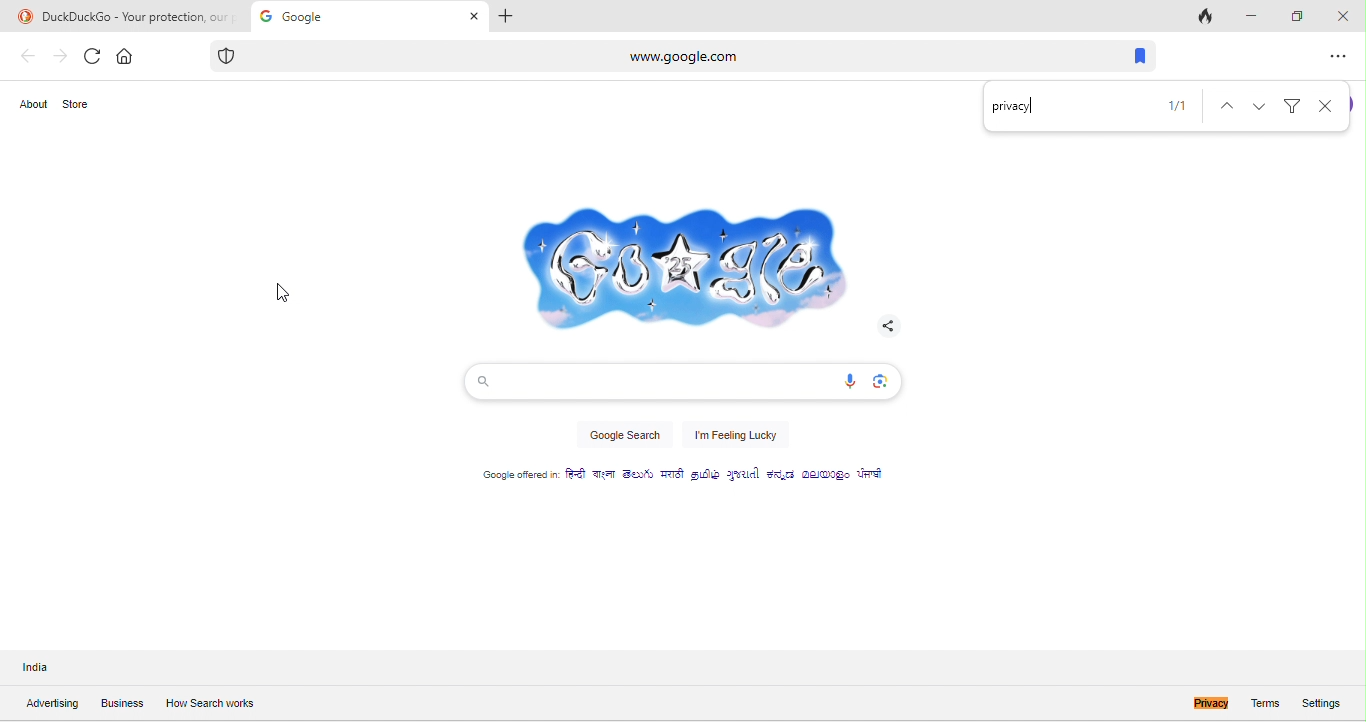 This screenshot has height=722, width=1366. Describe the element at coordinates (122, 705) in the screenshot. I see `business` at that location.